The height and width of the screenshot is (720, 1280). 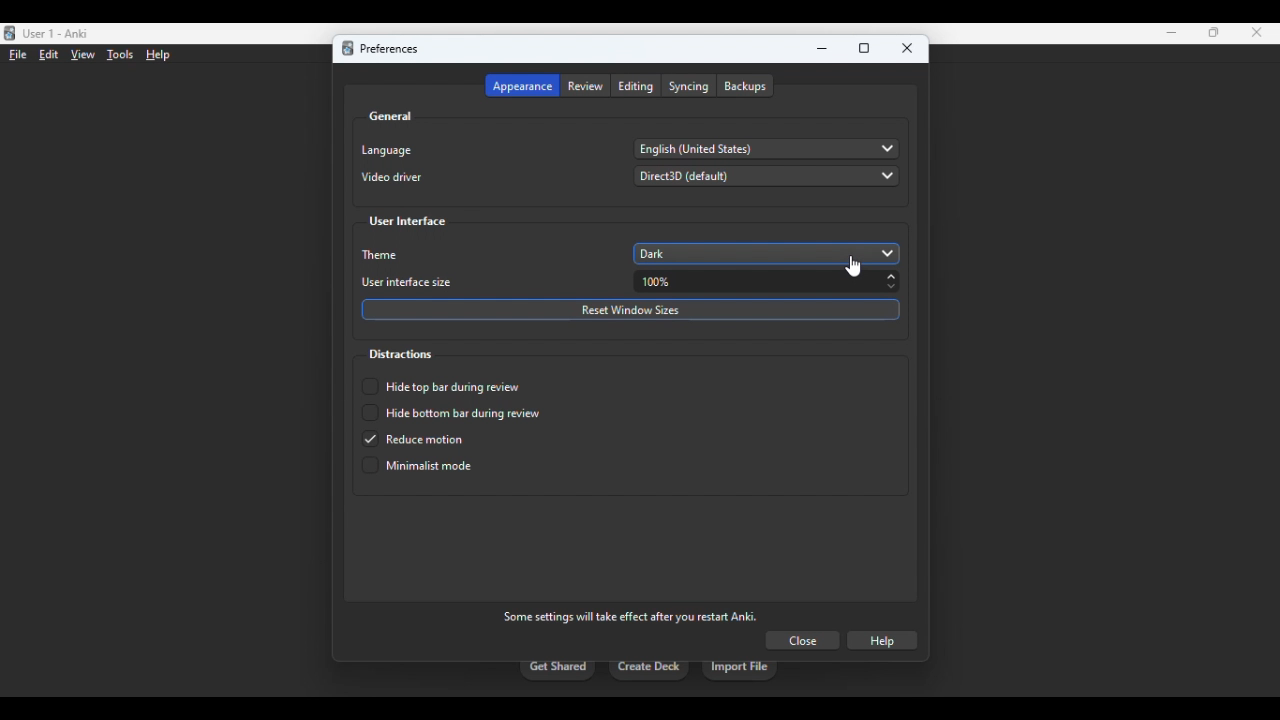 I want to click on user interface size, so click(x=408, y=283).